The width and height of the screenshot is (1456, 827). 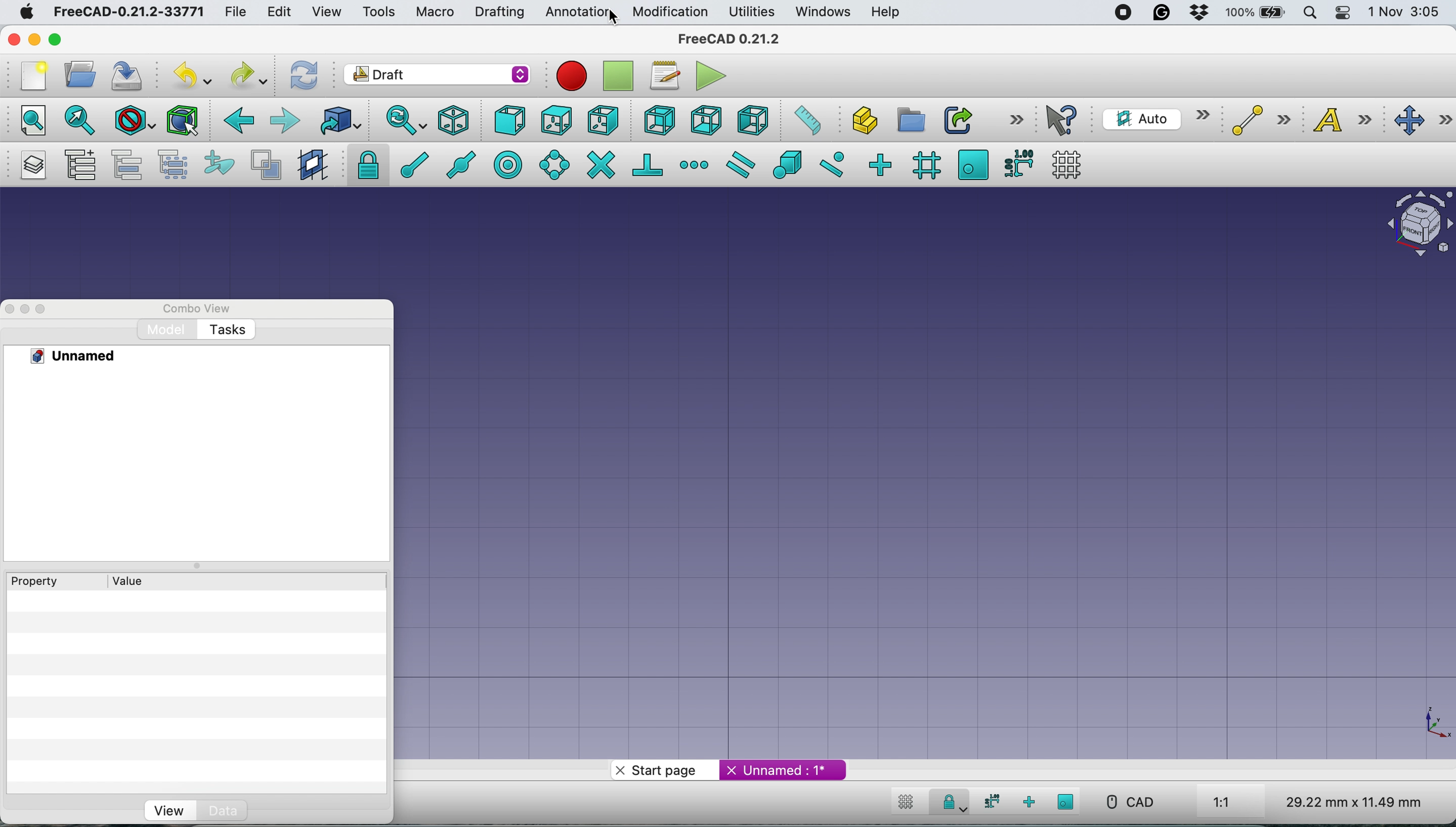 What do you see at coordinates (738, 163) in the screenshot?
I see `snap parallel` at bounding box center [738, 163].